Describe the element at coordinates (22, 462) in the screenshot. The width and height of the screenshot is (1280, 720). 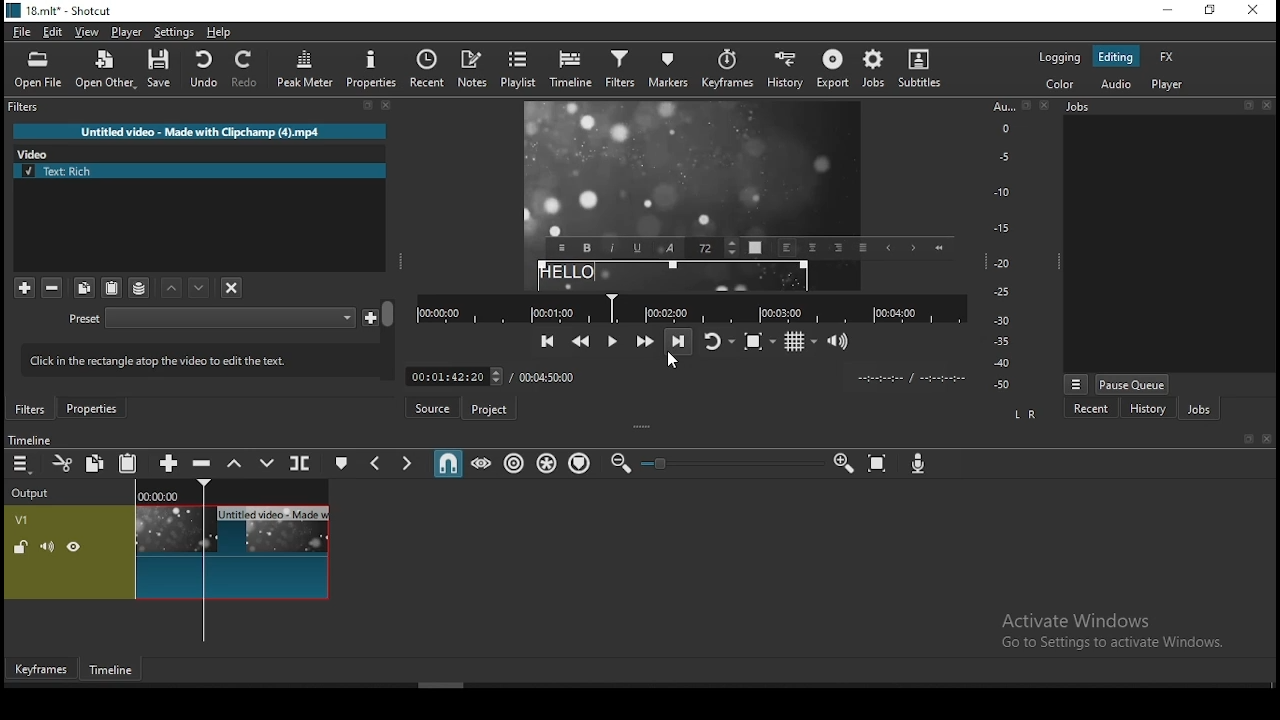
I see `timeline settings` at that location.